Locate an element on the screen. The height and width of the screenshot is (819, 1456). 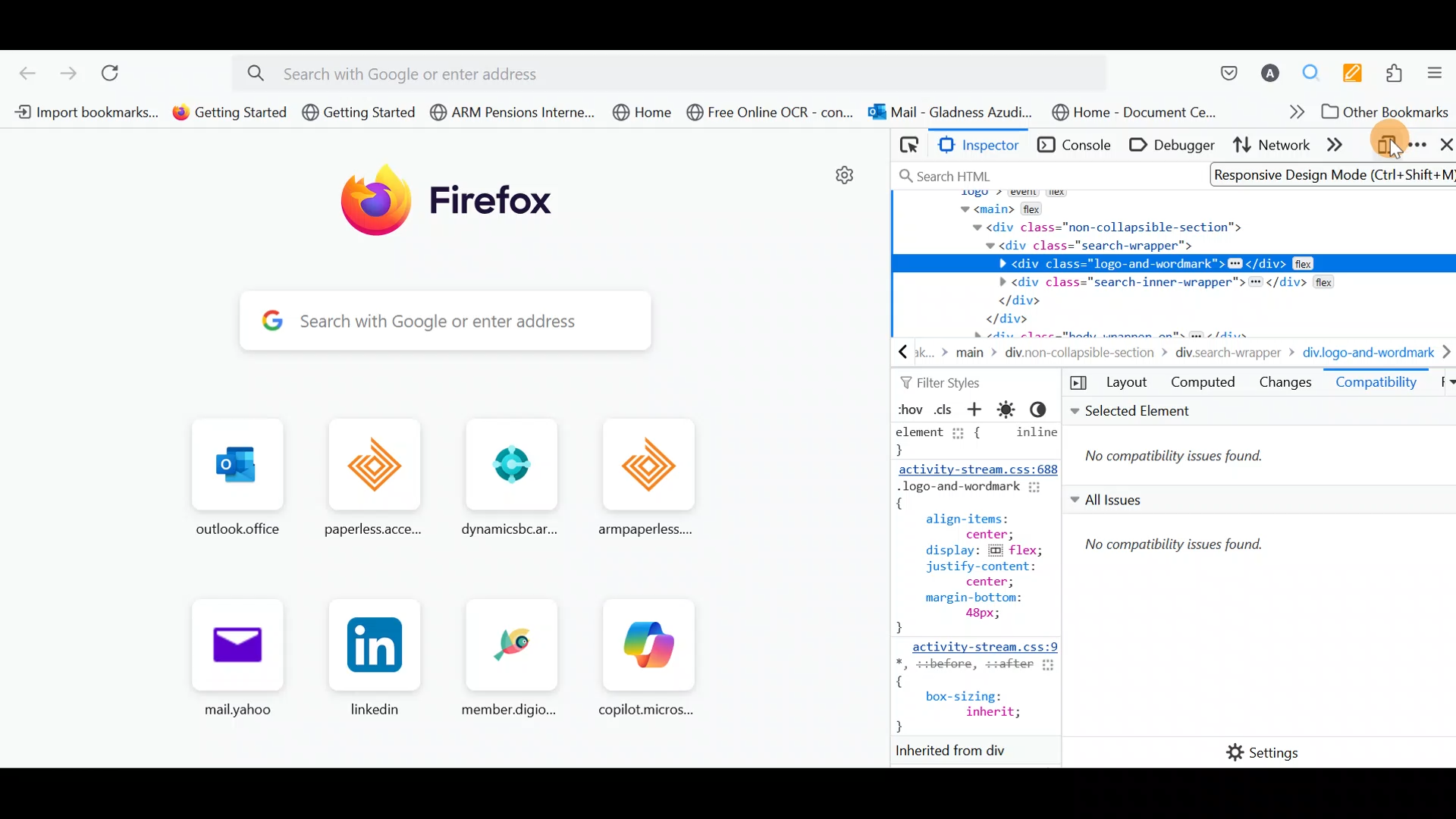
Compatibility is located at coordinates (1376, 385).